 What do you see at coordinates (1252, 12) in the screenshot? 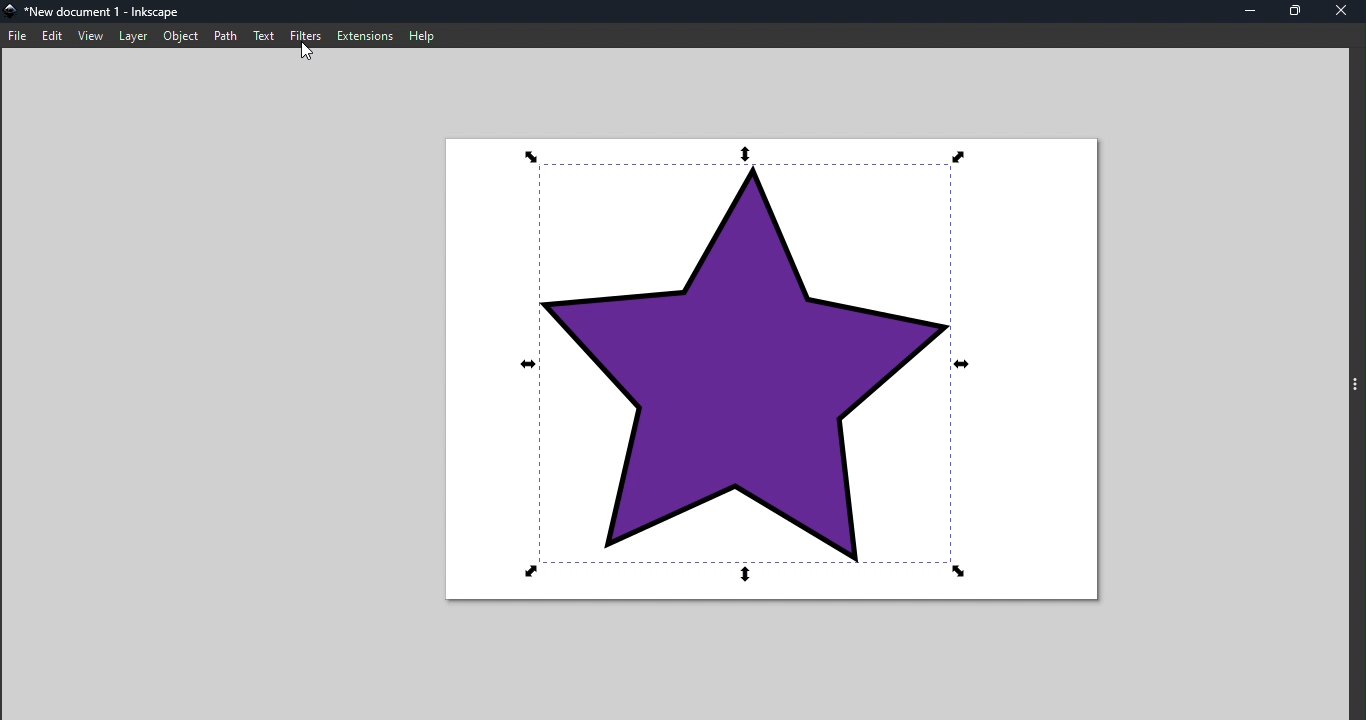
I see `Minimize` at bounding box center [1252, 12].